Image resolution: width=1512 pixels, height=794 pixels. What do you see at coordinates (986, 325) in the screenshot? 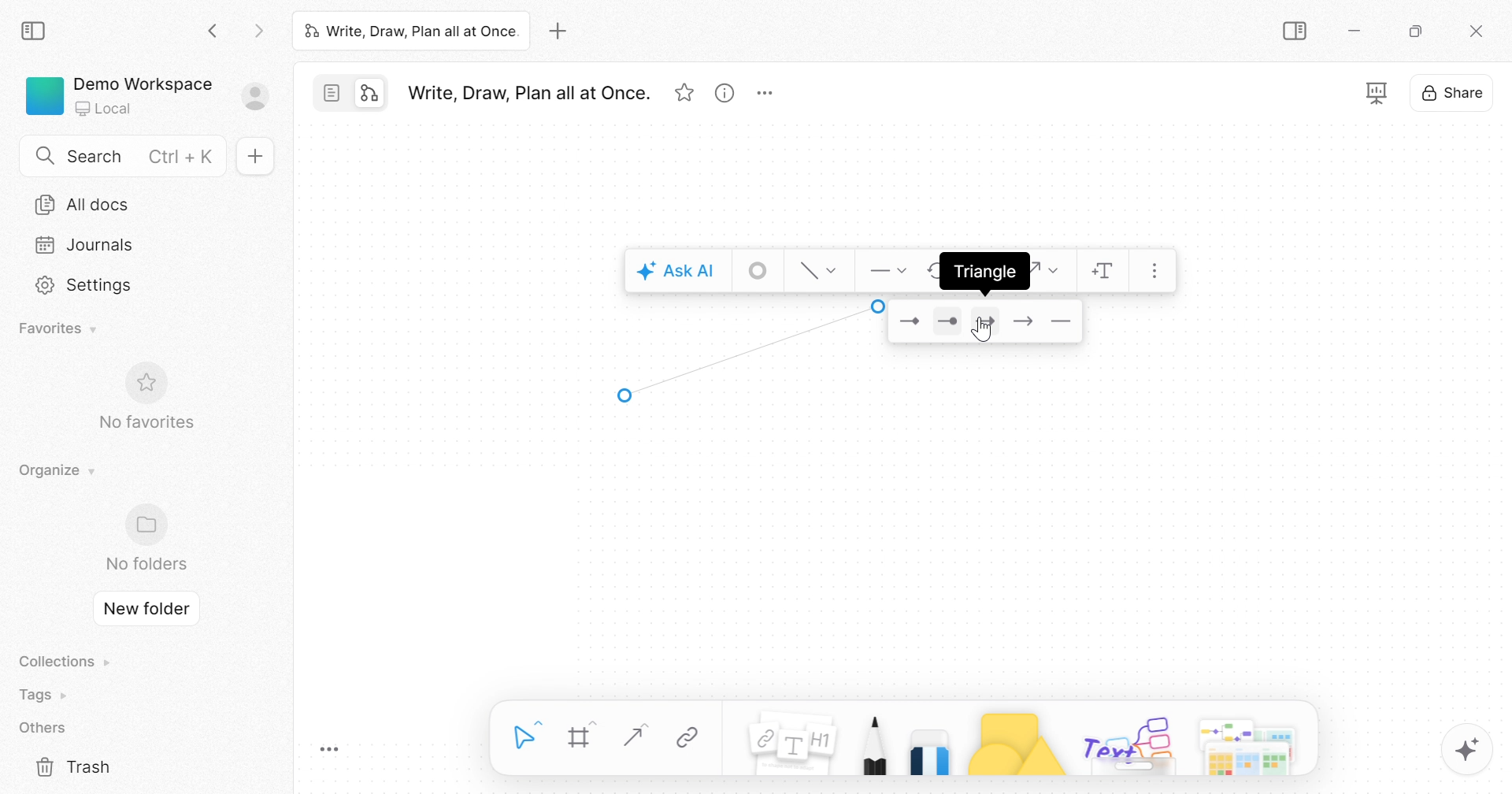
I see `Triangle` at bounding box center [986, 325].